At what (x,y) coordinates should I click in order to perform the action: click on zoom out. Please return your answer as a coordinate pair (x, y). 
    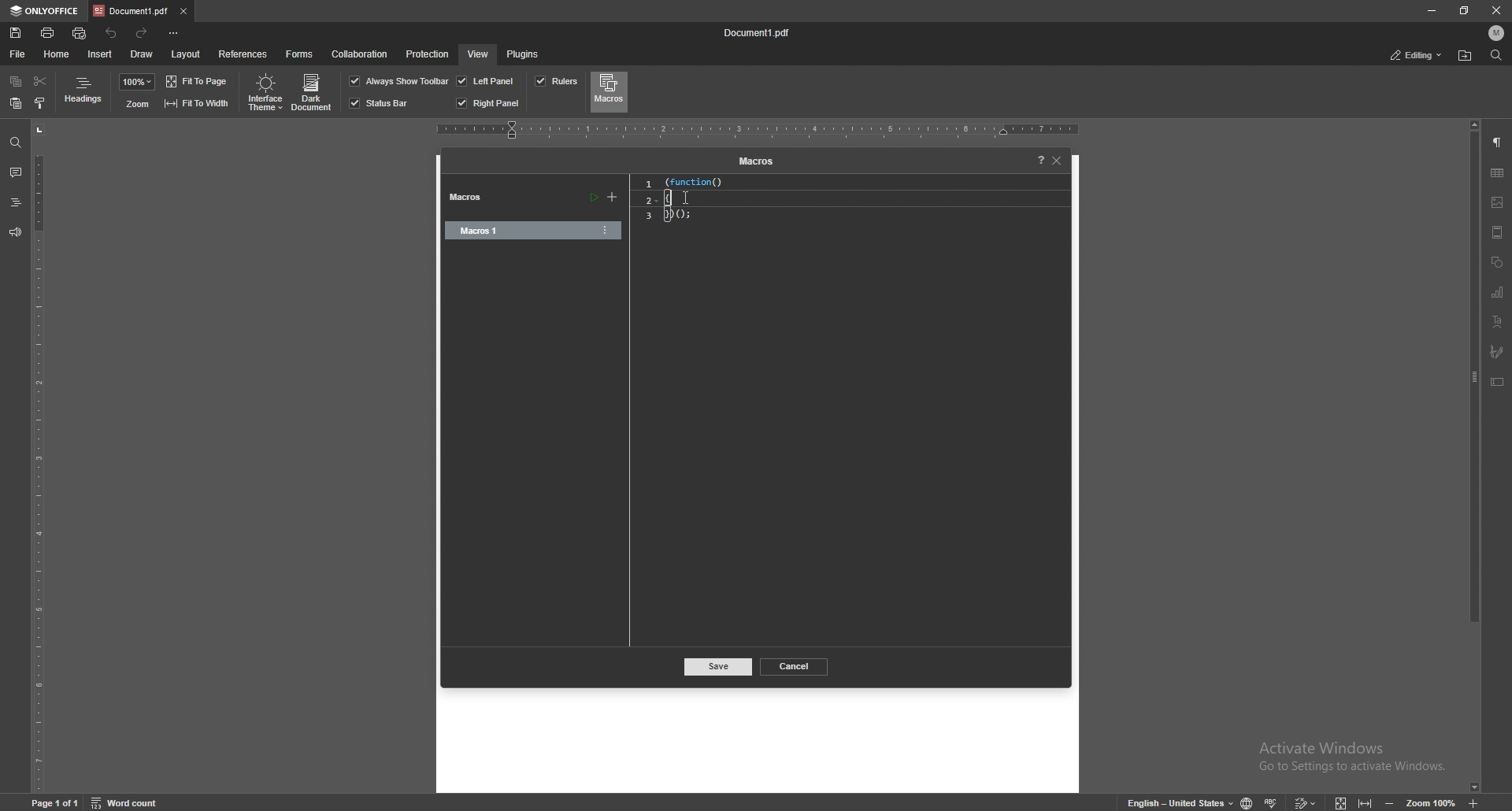
    Looking at the image, I should click on (1392, 802).